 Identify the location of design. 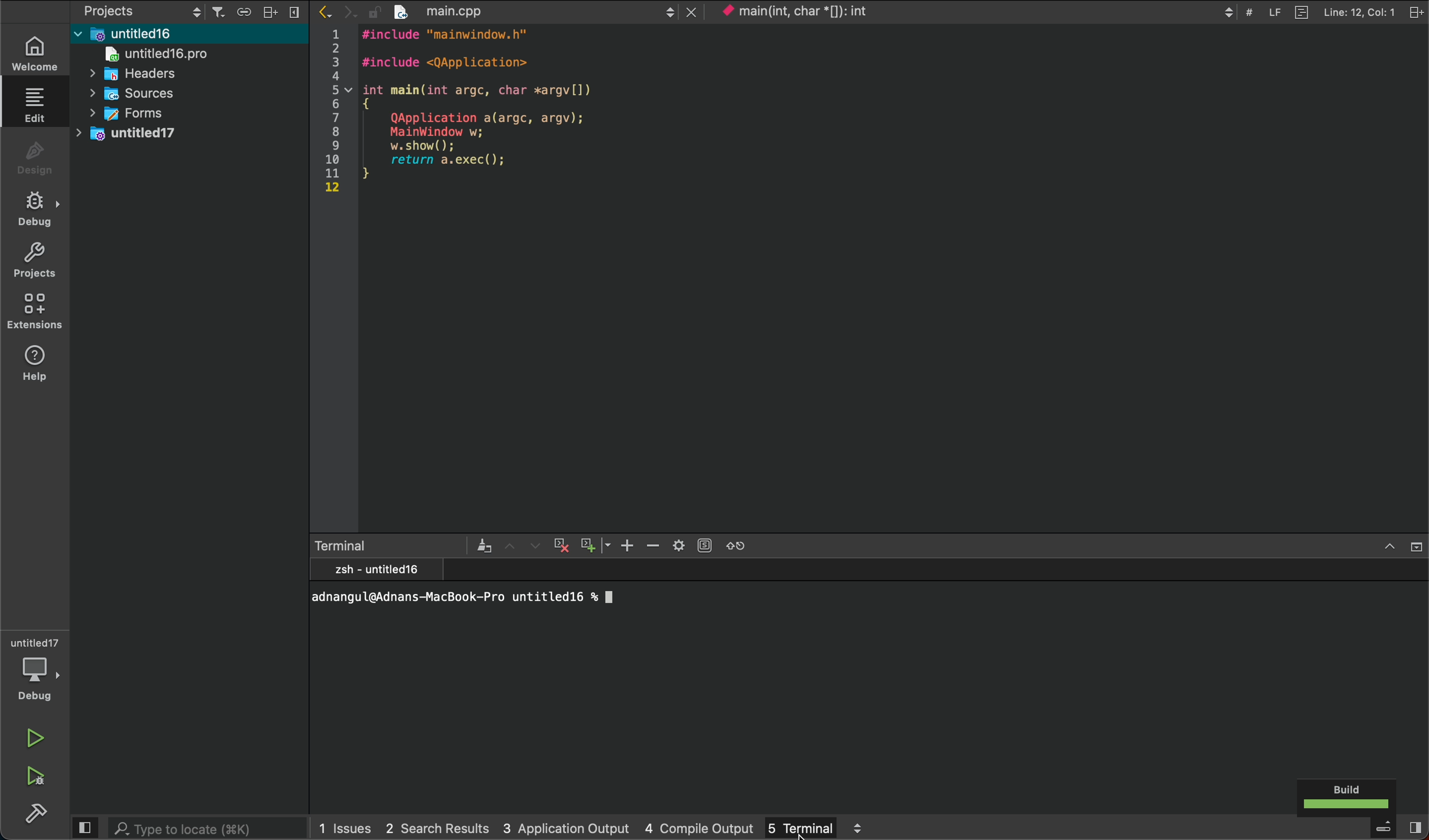
(32, 158).